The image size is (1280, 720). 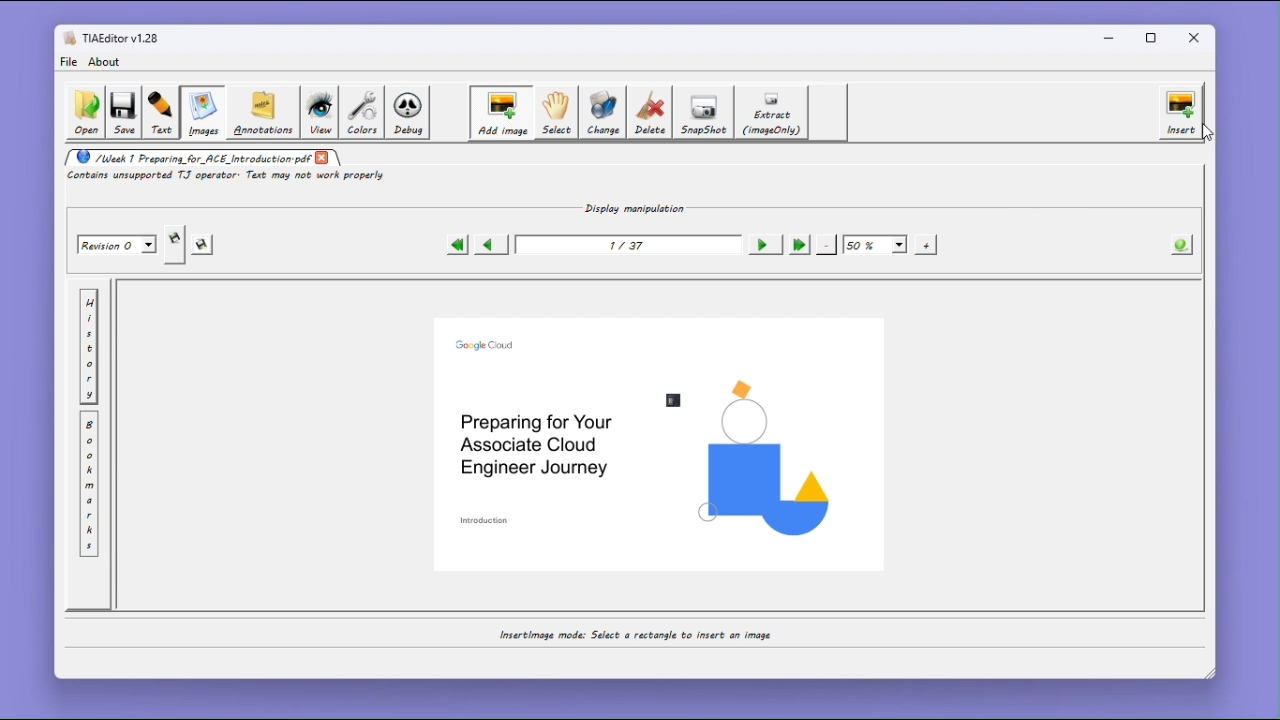 I want to click on 1/37, so click(x=625, y=246).